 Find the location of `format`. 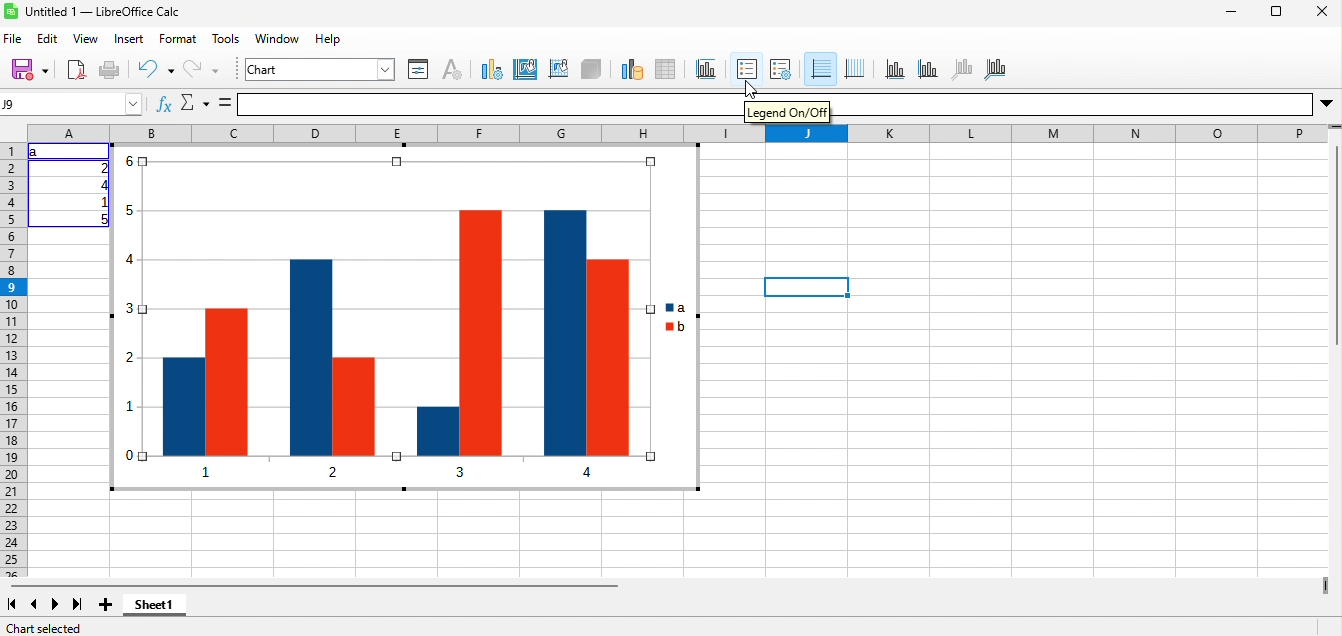

format is located at coordinates (178, 40).